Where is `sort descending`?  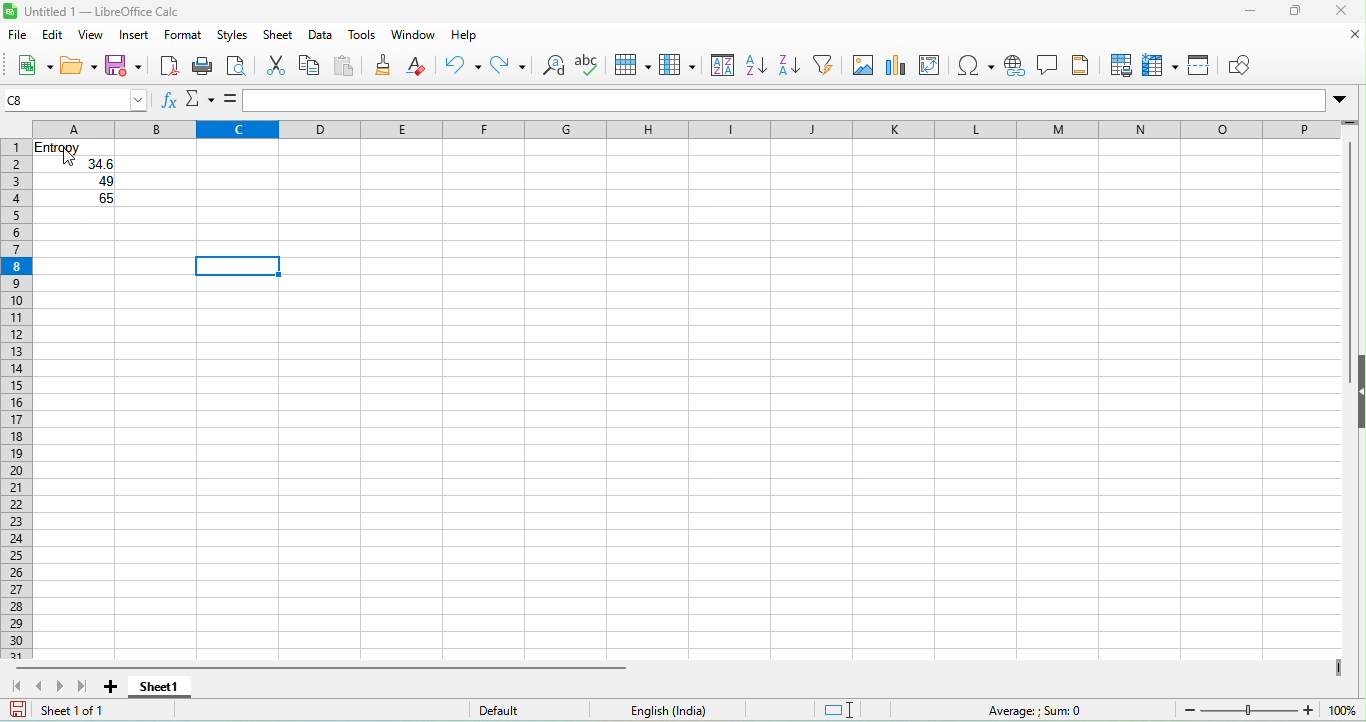 sort descending is located at coordinates (794, 68).